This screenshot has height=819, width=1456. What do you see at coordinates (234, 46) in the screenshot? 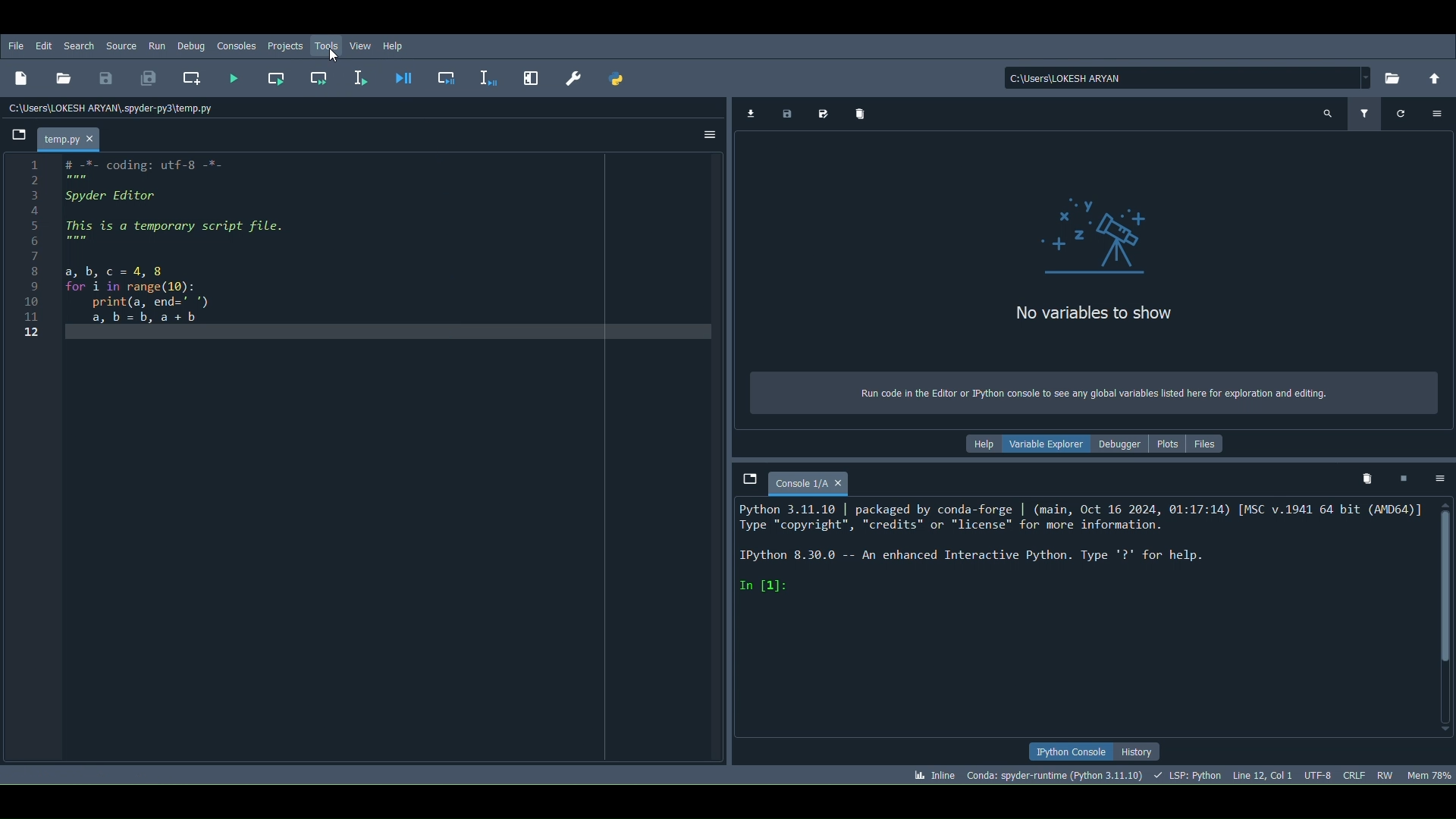
I see `Consoles` at bounding box center [234, 46].